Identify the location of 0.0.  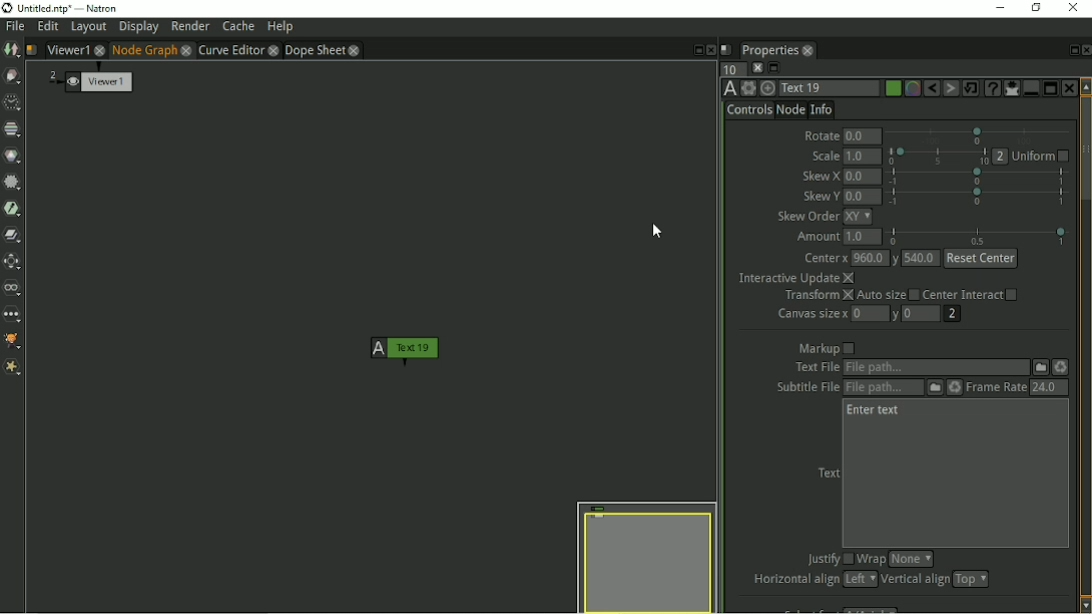
(863, 177).